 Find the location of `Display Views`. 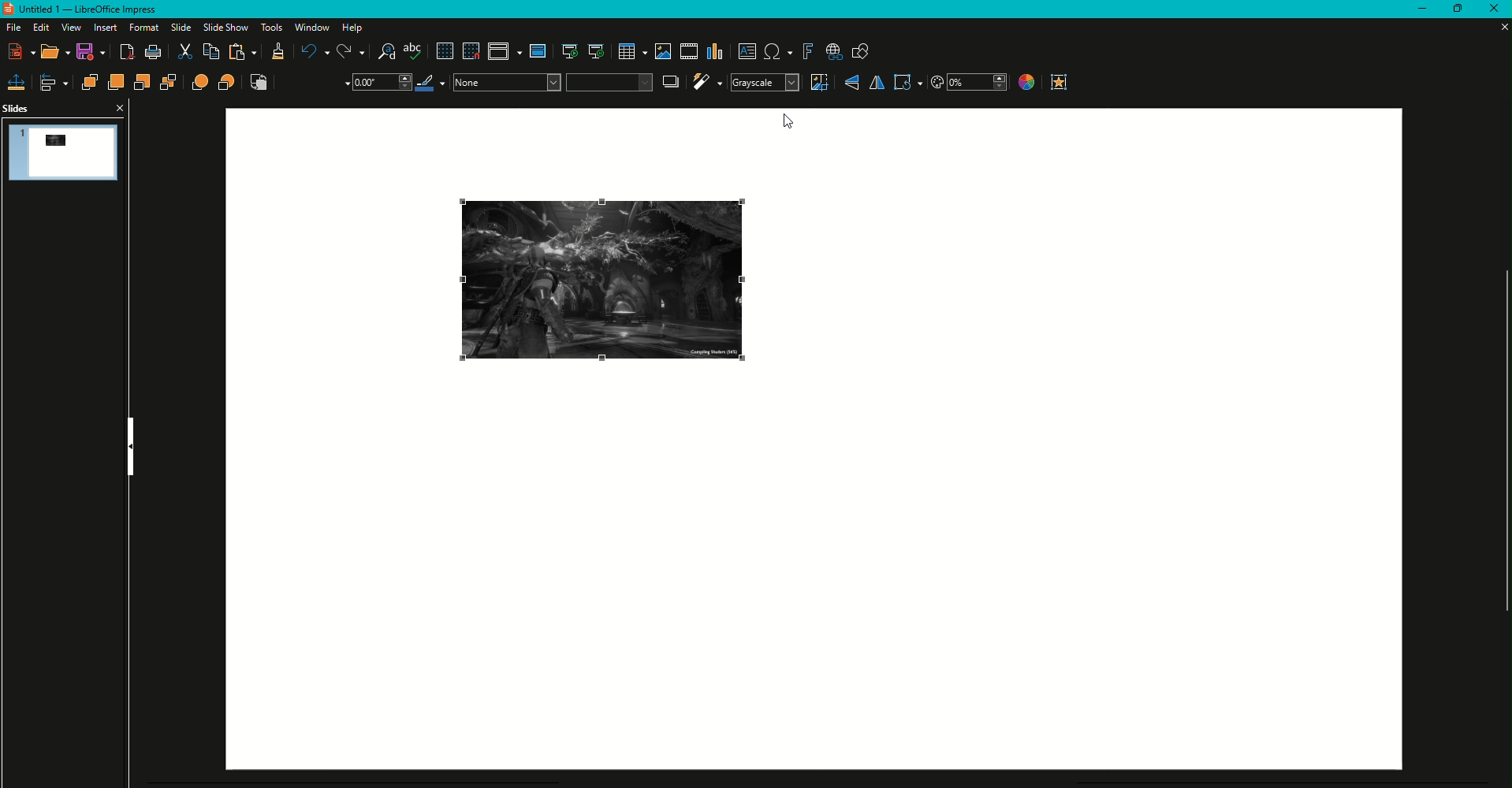

Display Views is located at coordinates (505, 54).